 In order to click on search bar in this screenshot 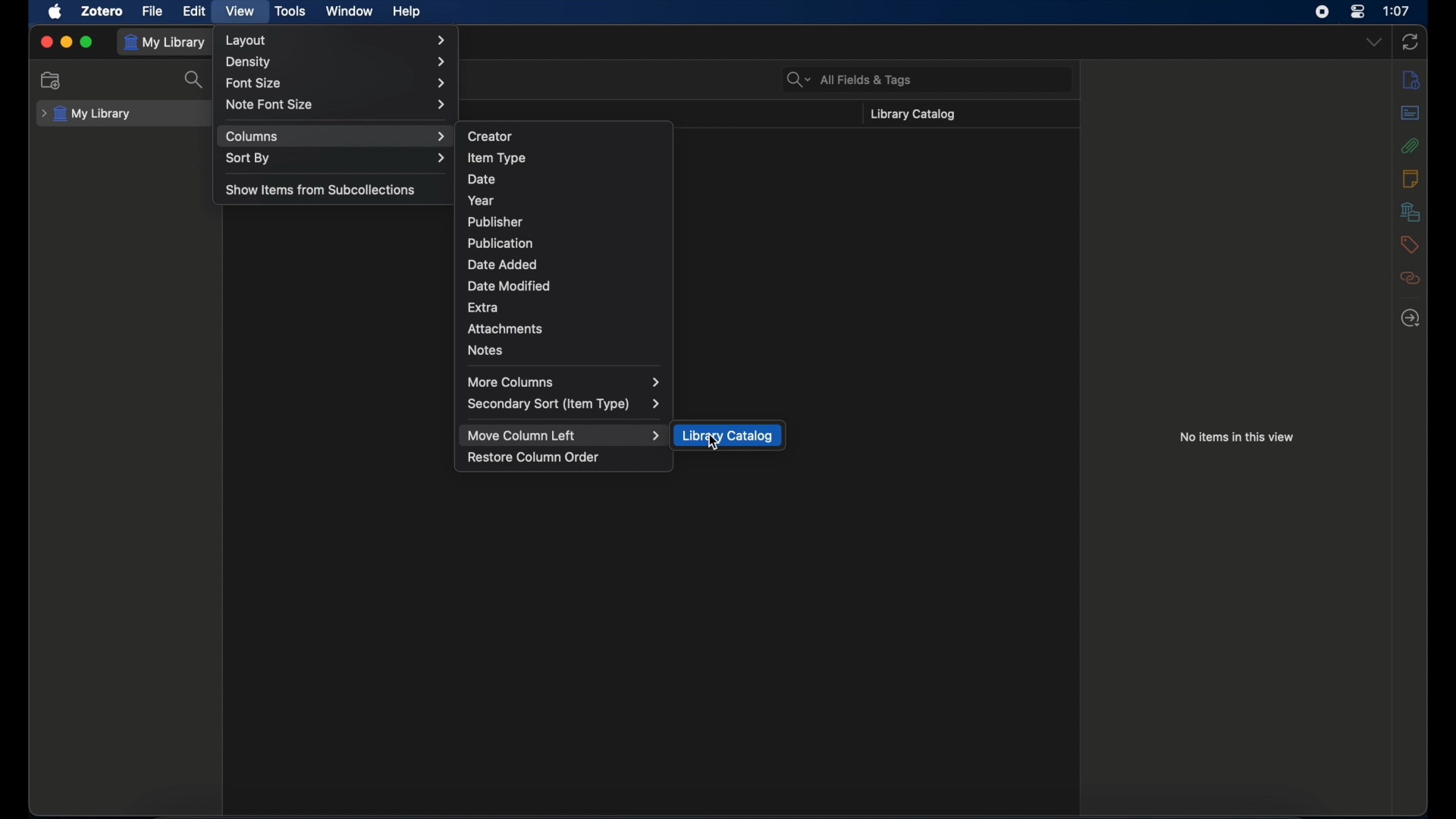, I will do `click(849, 80)`.